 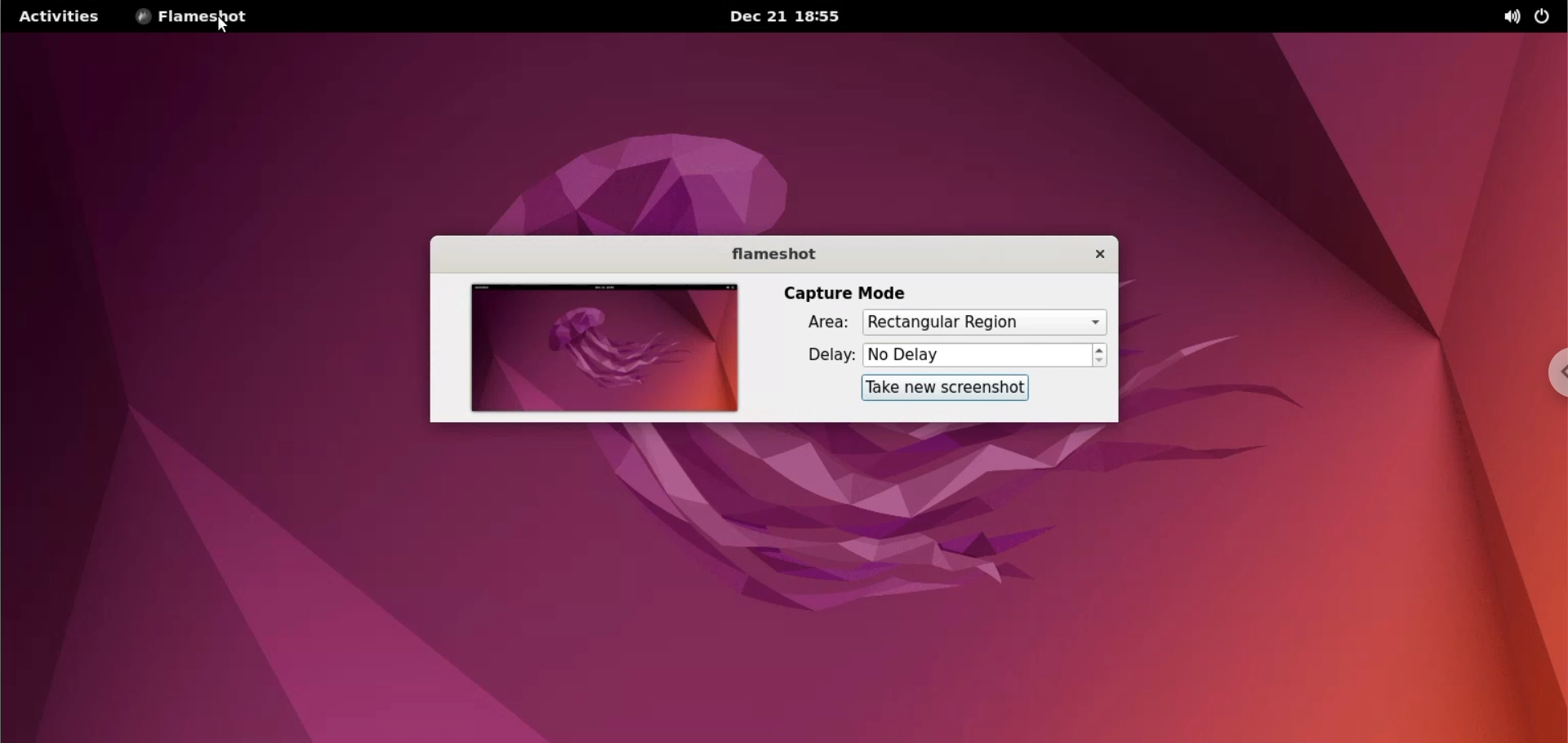 What do you see at coordinates (825, 354) in the screenshot?
I see `delay` at bounding box center [825, 354].